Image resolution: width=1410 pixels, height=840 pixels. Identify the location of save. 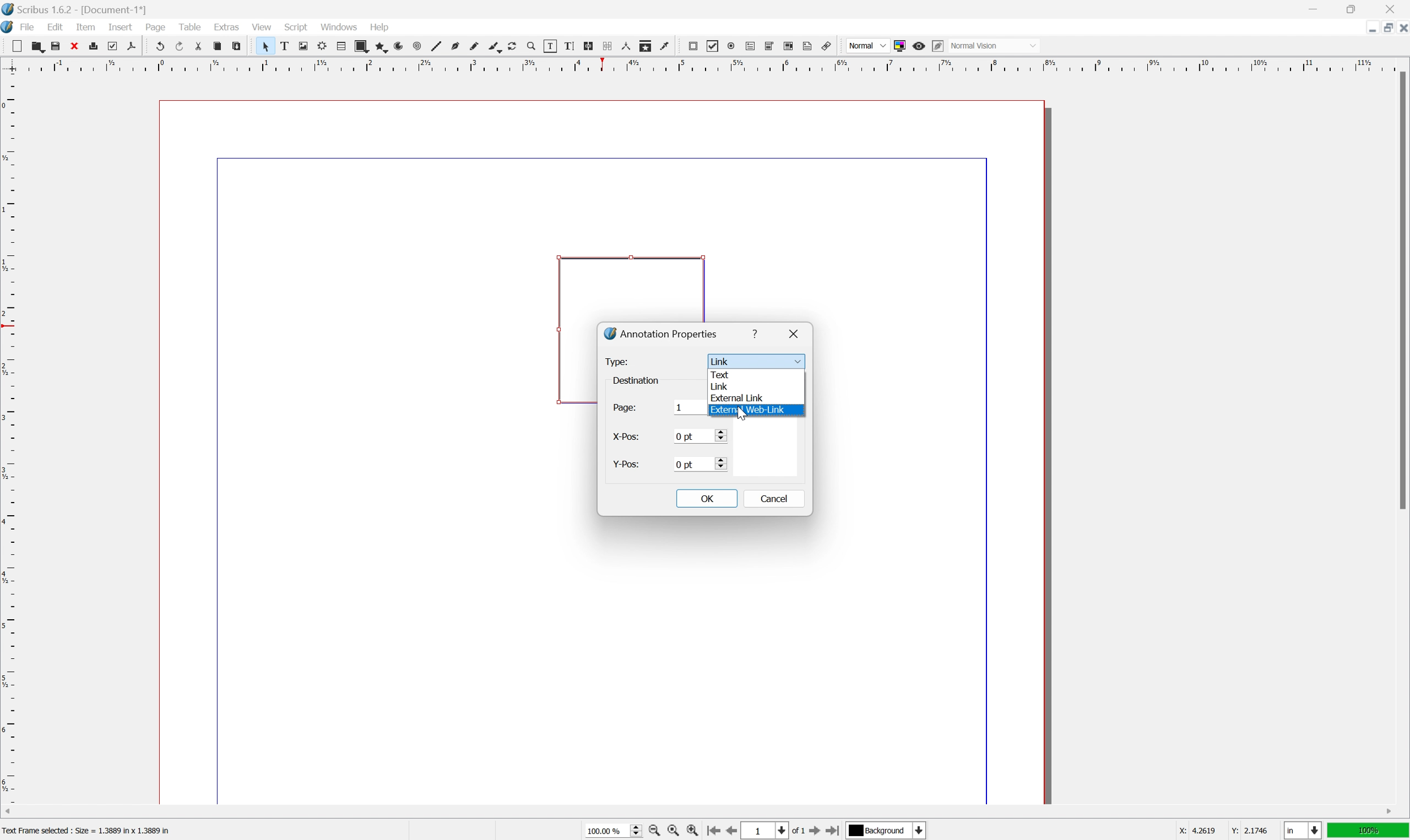
(56, 46).